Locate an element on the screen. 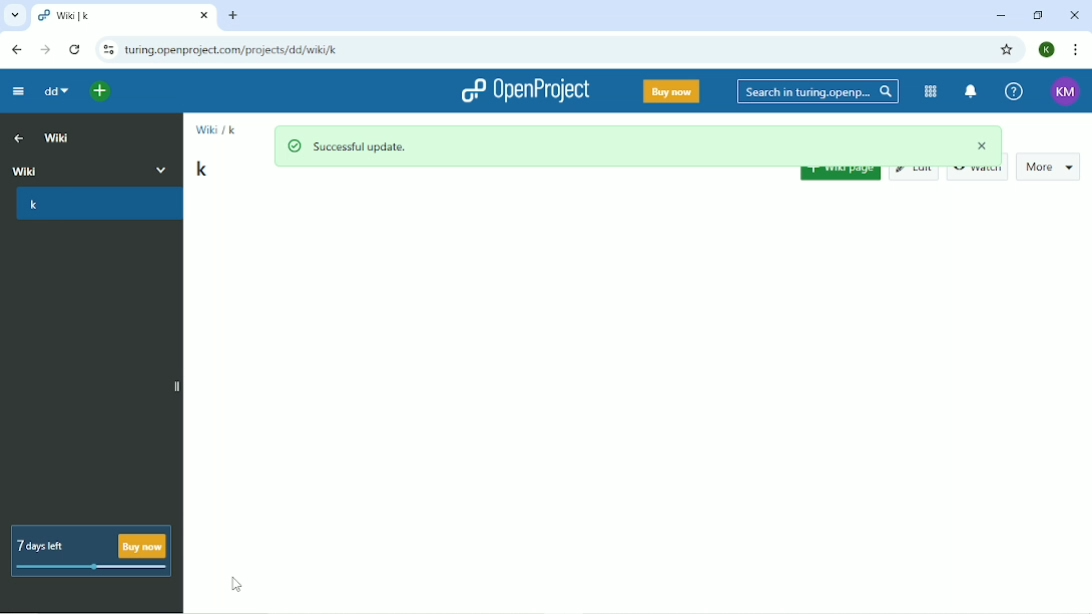 This screenshot has height=614, width=1092. k is located at coordinates (200, 169).